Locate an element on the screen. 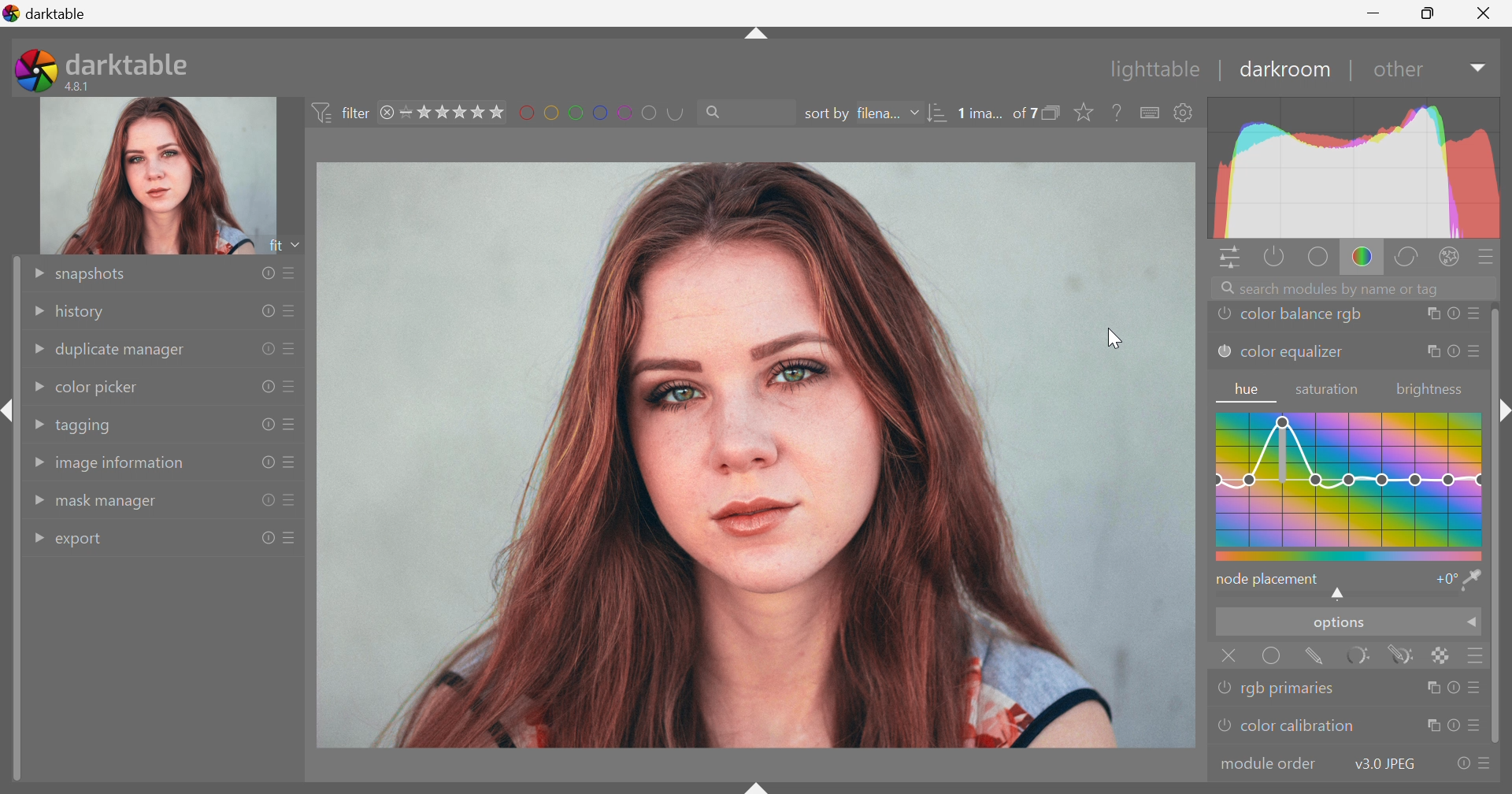 Image resolution: width=1512 pixels, height=794 pixels. sort by is located at coordinates (825, 114).